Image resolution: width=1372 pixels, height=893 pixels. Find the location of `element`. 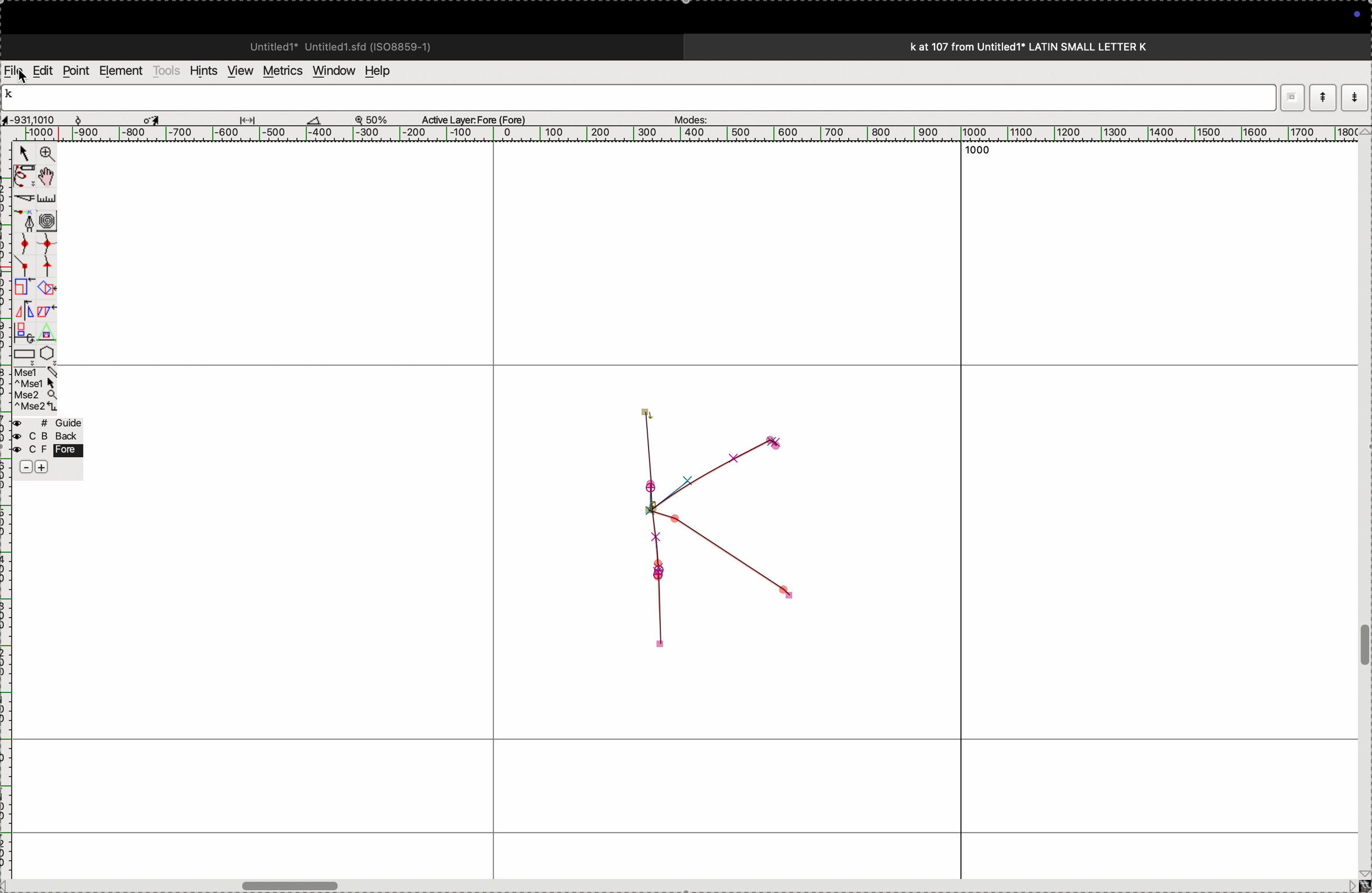

element is located at coordinates (122, 71).